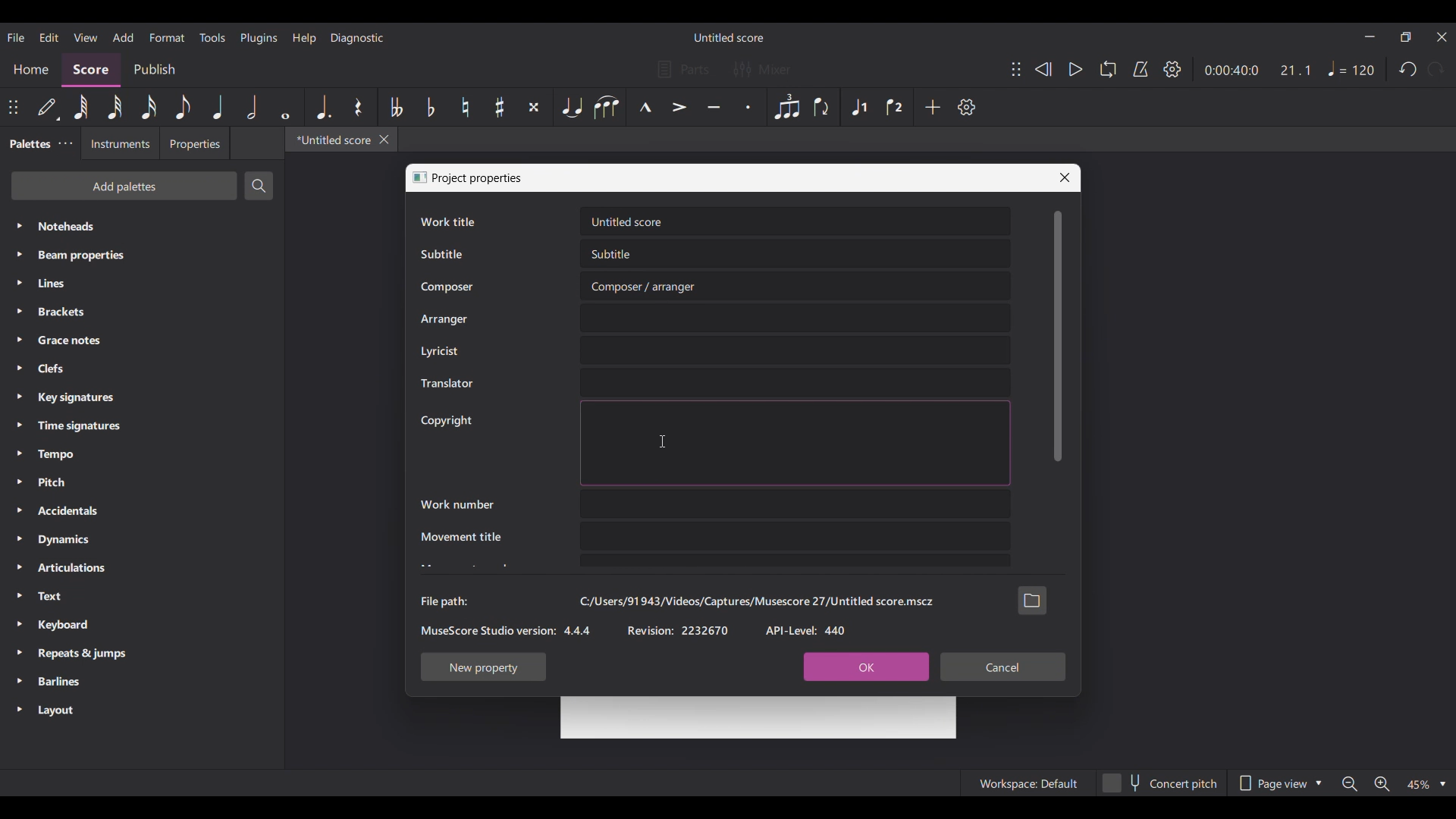  I want to click on Toggle flat, so click(431, 107).